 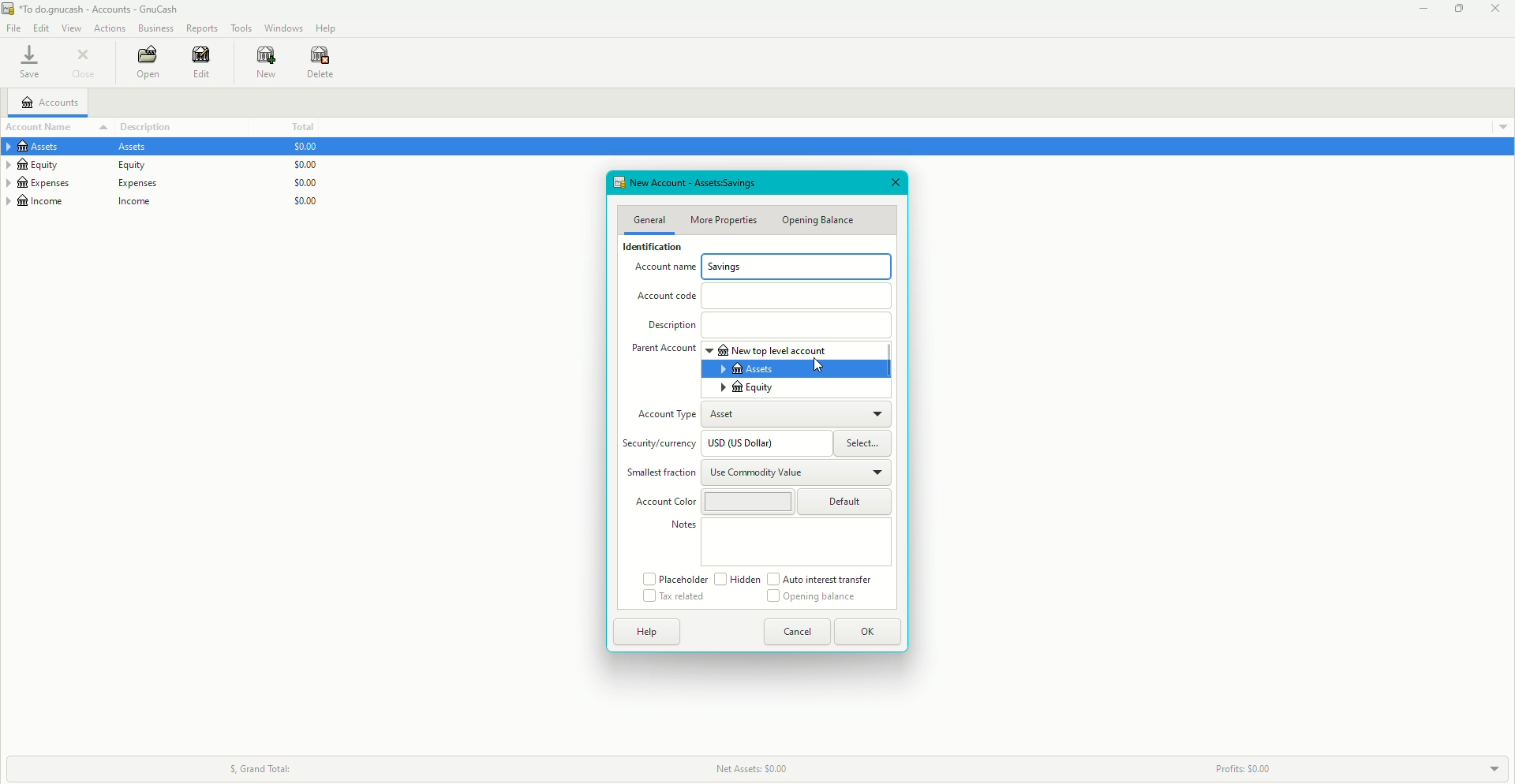 What do you see at coordinates (110, 28) in the screenshot?
I see `Actions` at bounding box center [110, 28].